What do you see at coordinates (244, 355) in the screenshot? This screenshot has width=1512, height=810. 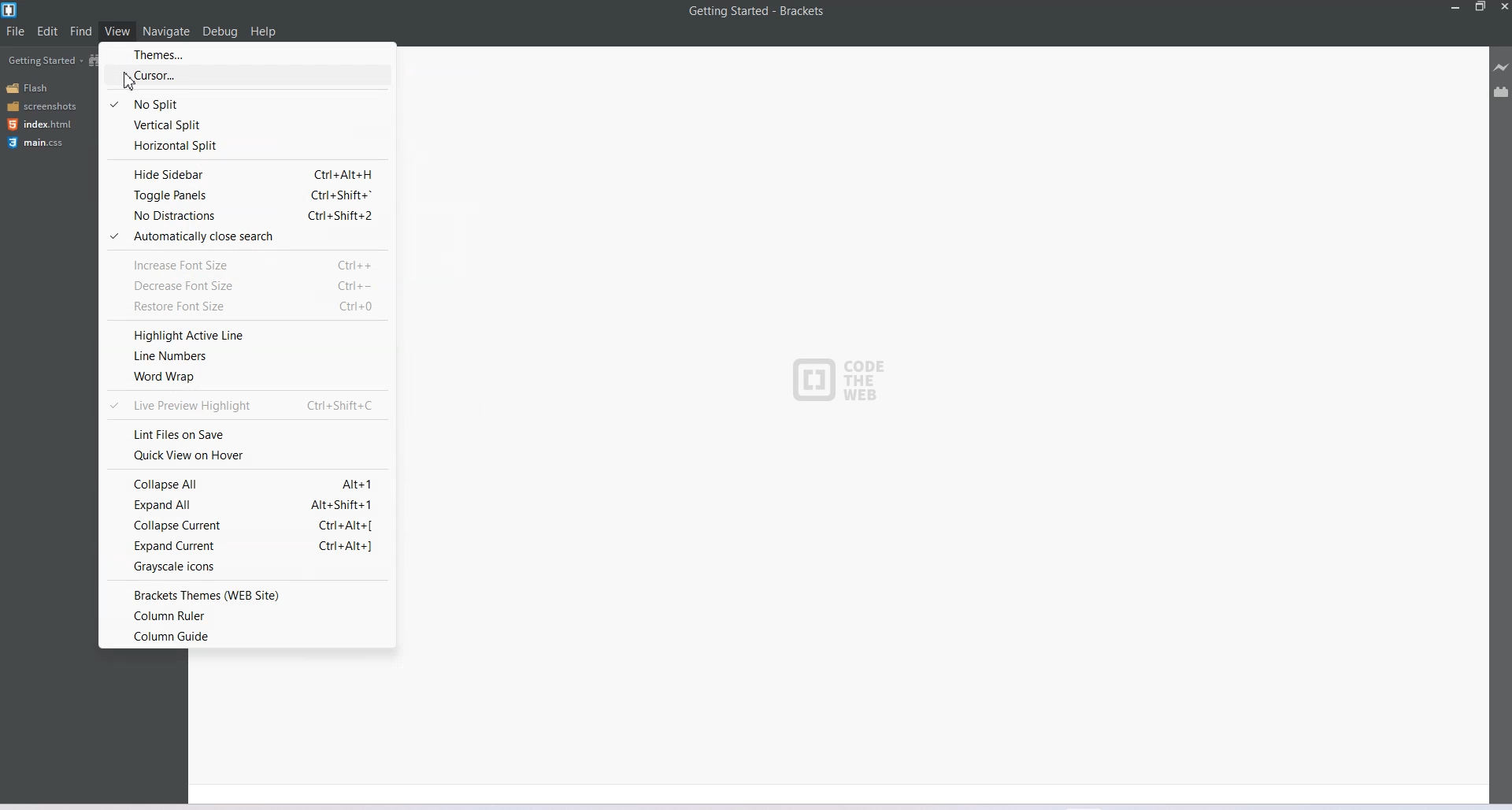 I see `Line numbers` at bounding box center [244, 355].